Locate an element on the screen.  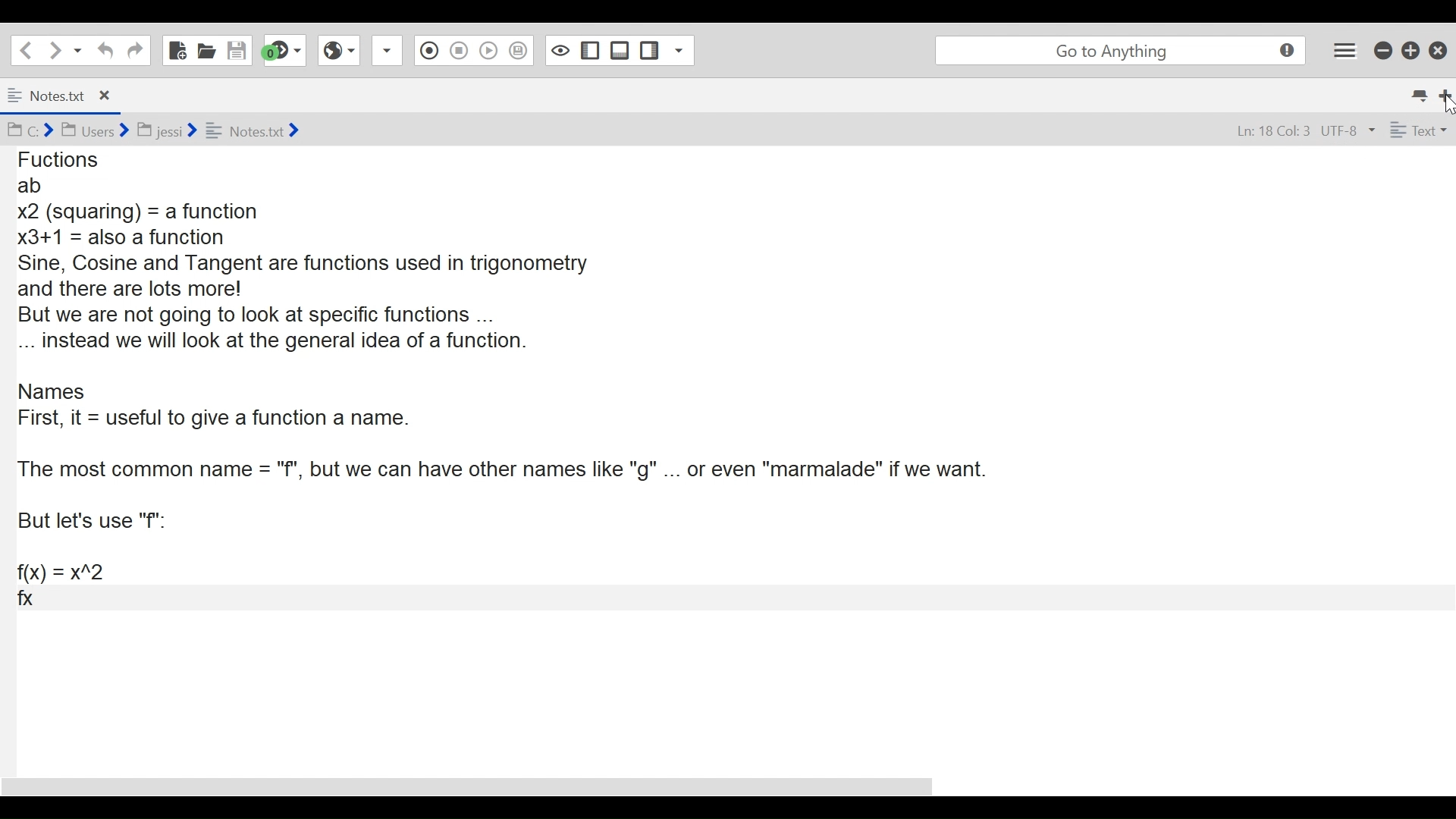
Horizontal Scrollbar is located at coordinates (467, 786).